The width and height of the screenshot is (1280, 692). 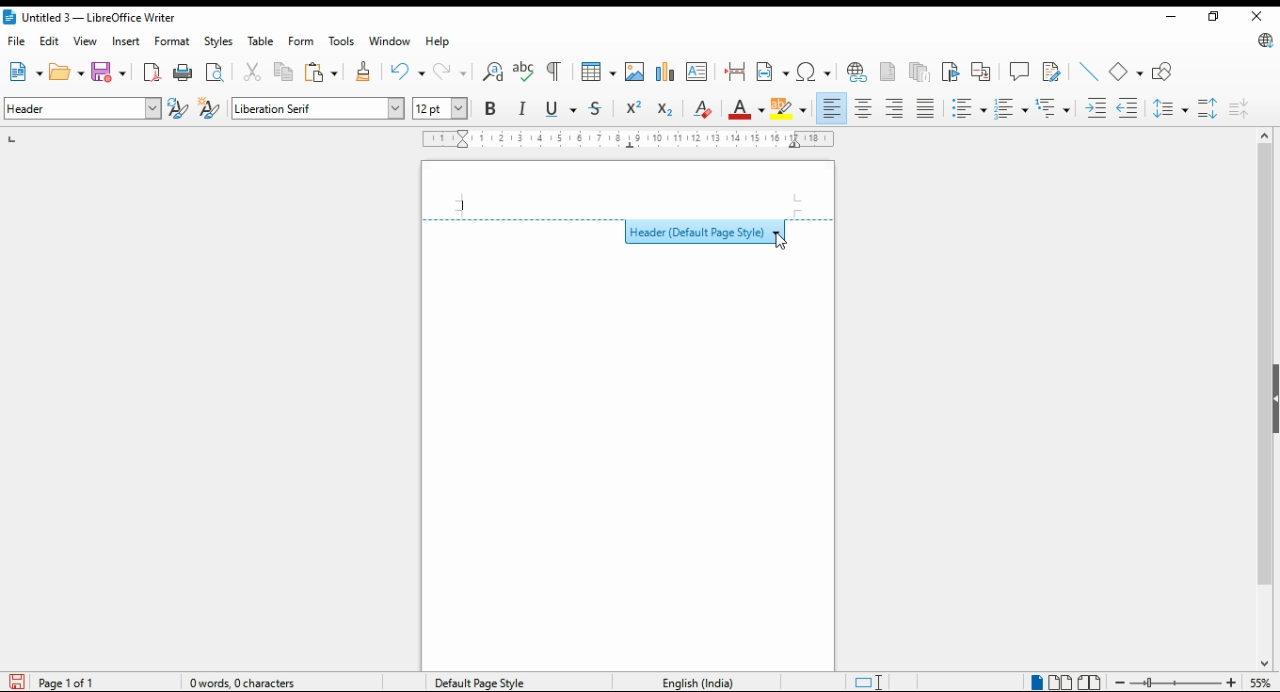 What do you see at coordinates (597, 109) in the screenshot?
I see `strike thorough` at bounding box center [597, 109].